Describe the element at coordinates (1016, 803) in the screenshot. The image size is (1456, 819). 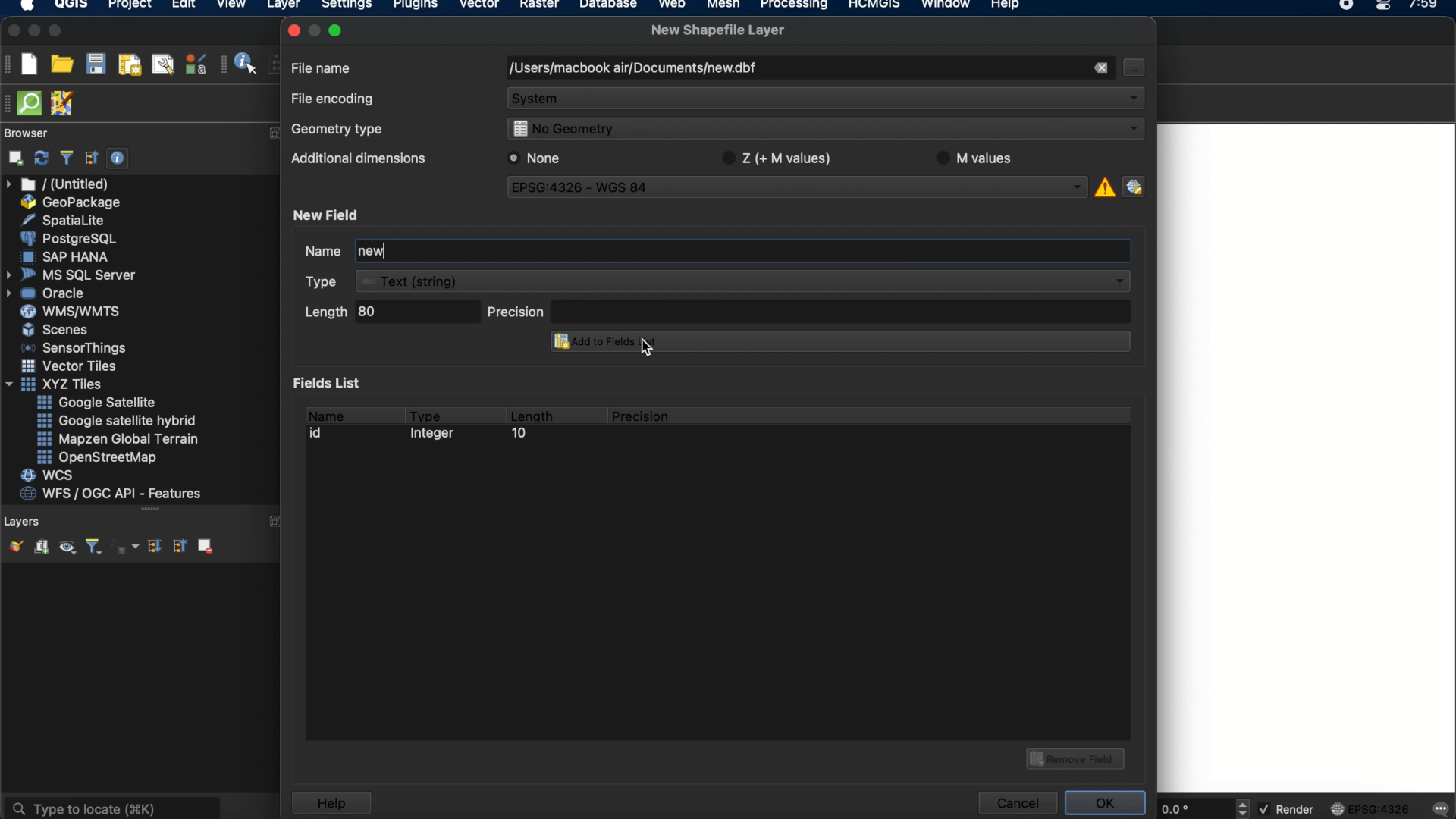
I see `cancel` at that location.